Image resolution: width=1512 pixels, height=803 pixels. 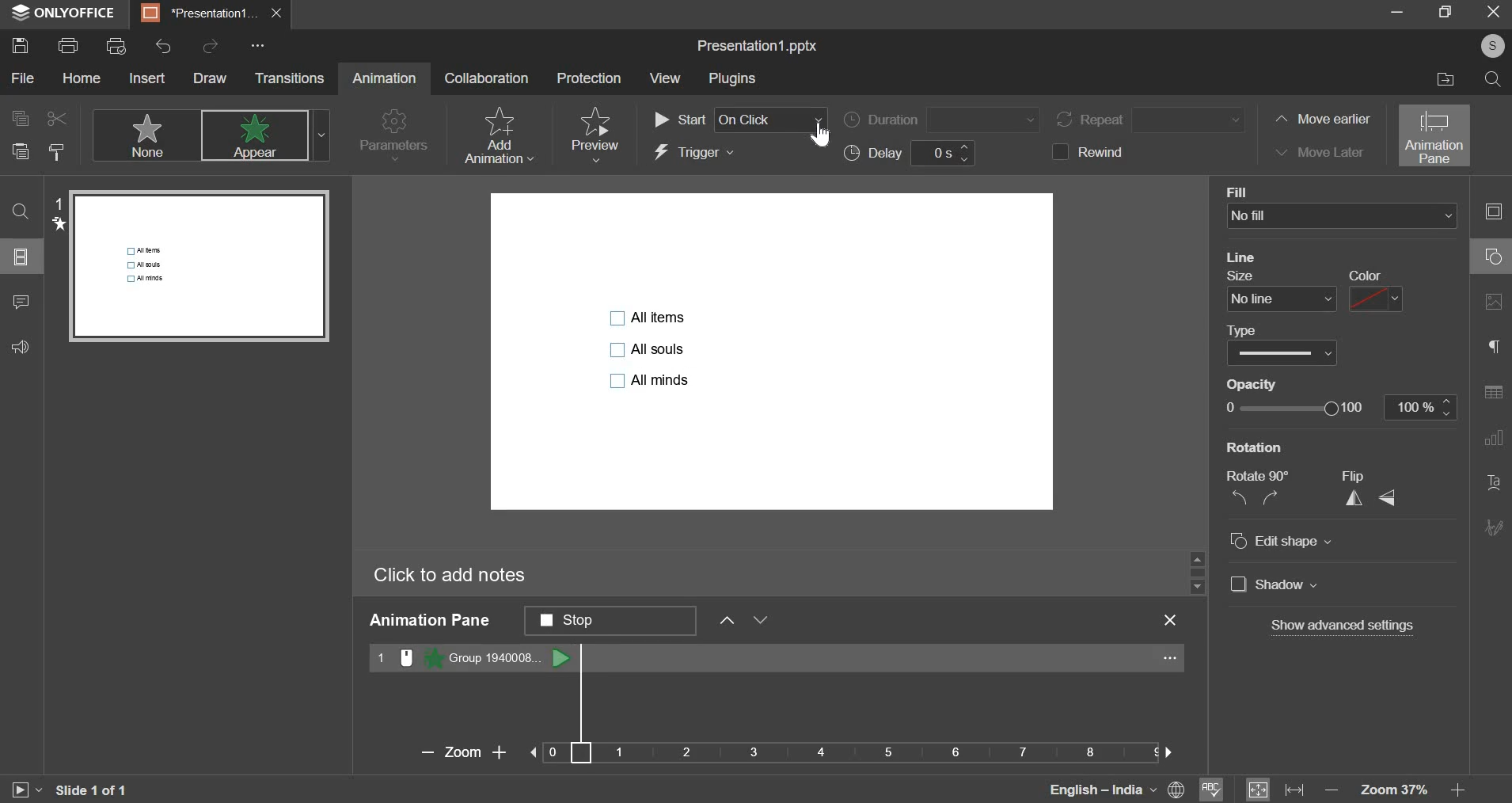 What do you see at coordinates (1196, 571) in the screenshot?
I see `slider` at bounding box center [1196, 571].